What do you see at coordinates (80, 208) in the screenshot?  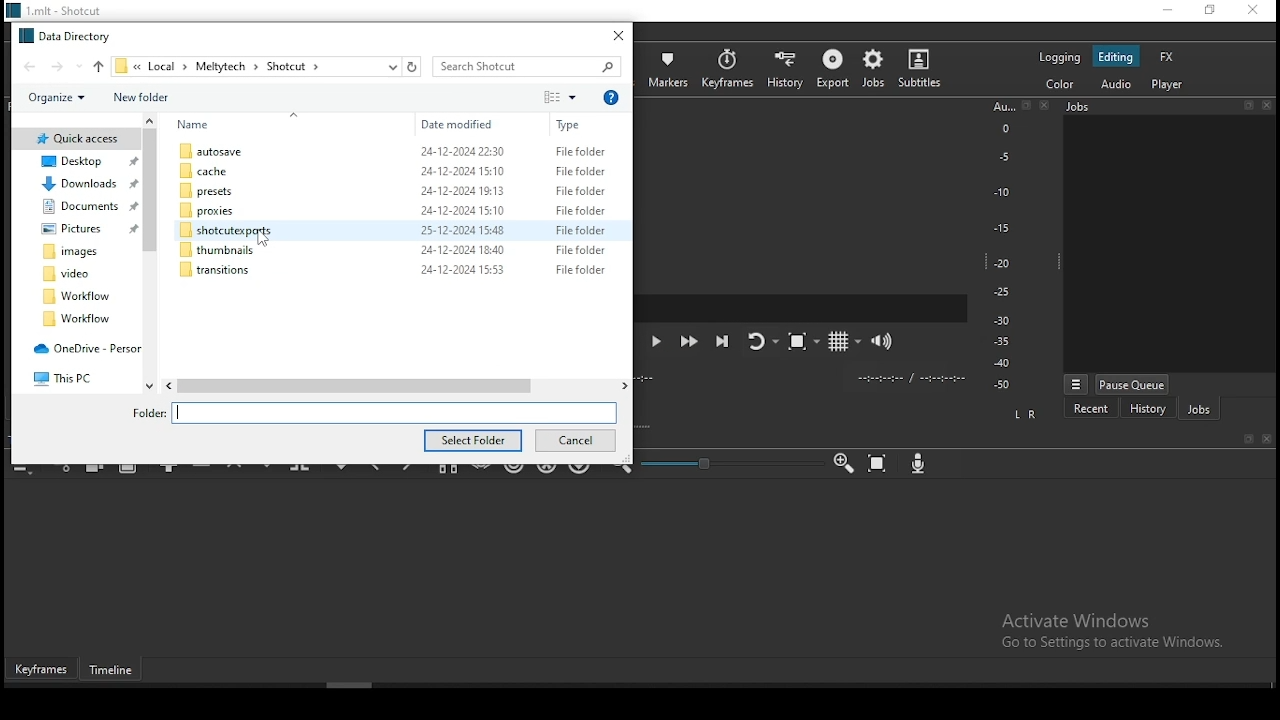 I see `local folder` at bounding box center [80, 208].